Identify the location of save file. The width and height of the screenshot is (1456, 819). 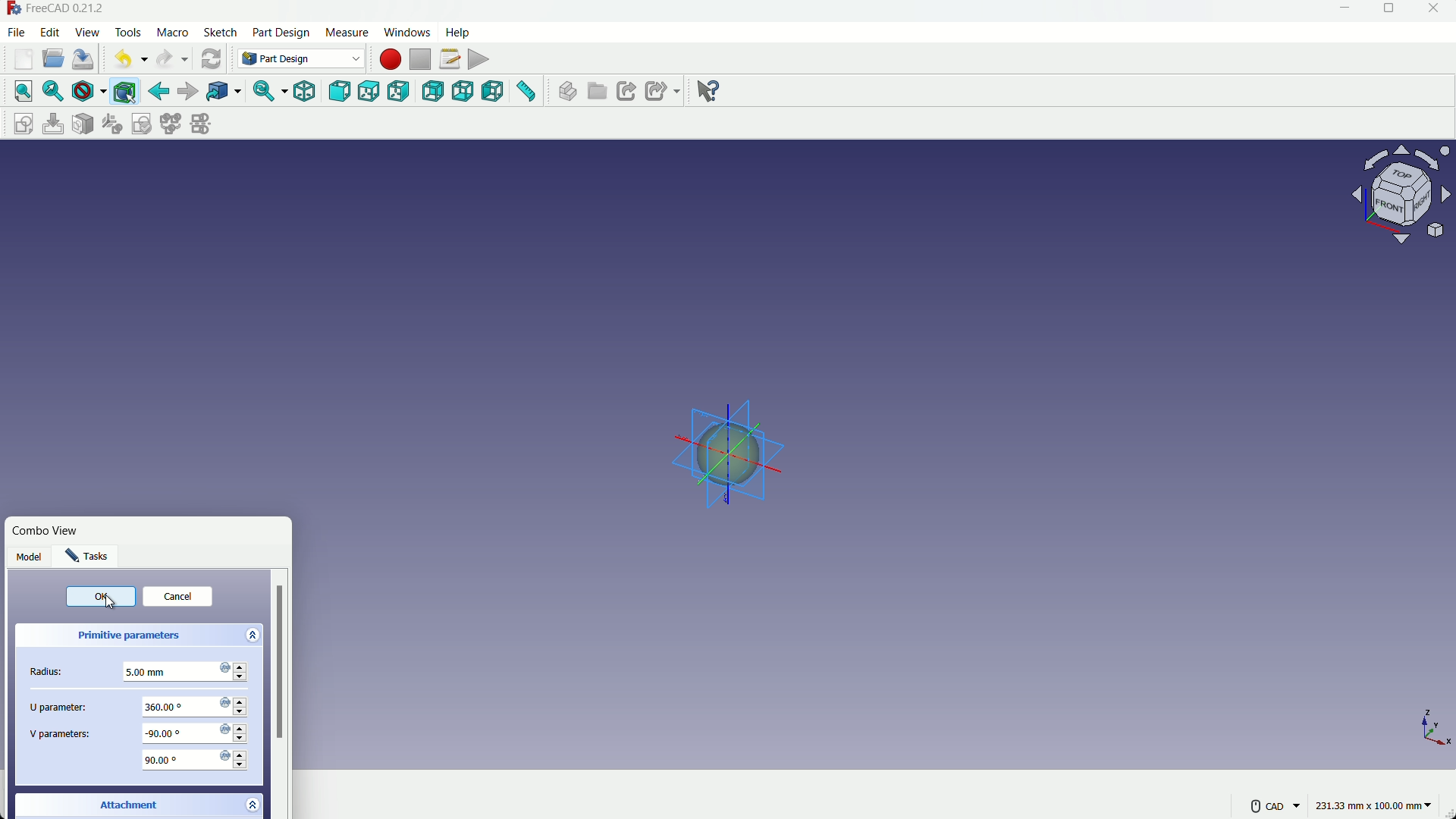
(83, 58).